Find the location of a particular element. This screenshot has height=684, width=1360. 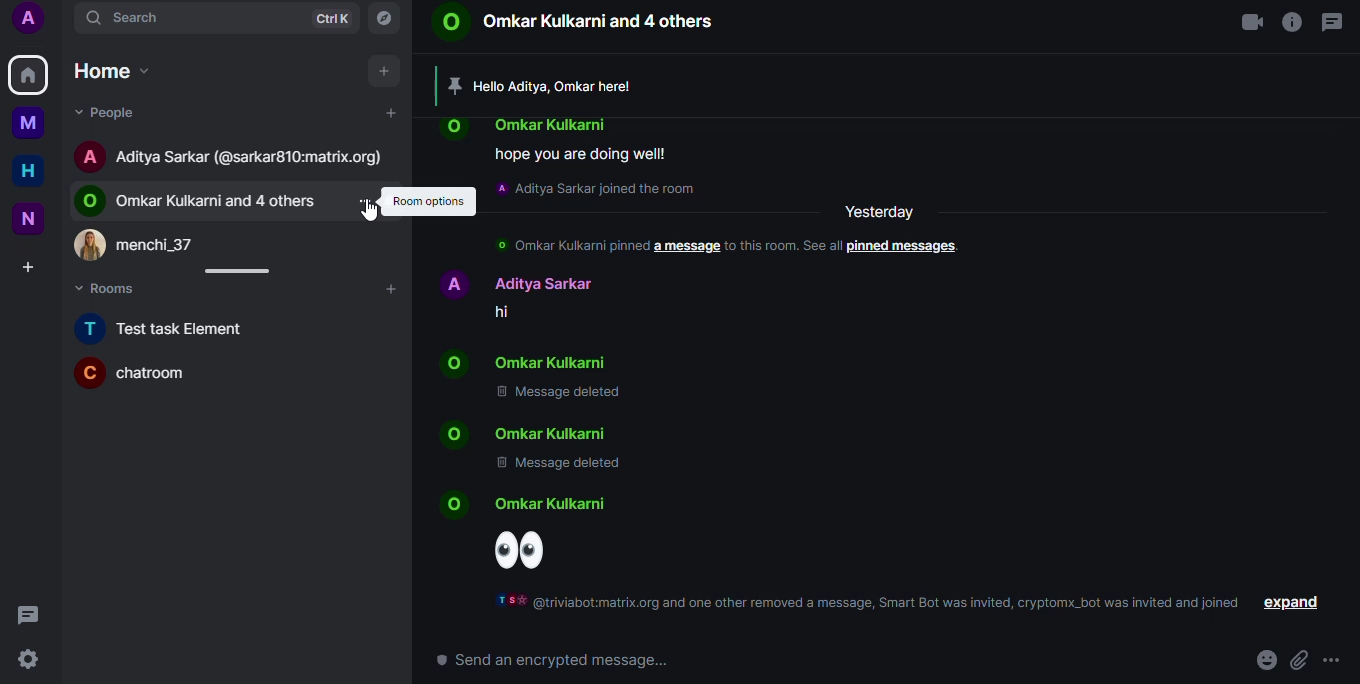

contact is located at coordinates (152, 243).